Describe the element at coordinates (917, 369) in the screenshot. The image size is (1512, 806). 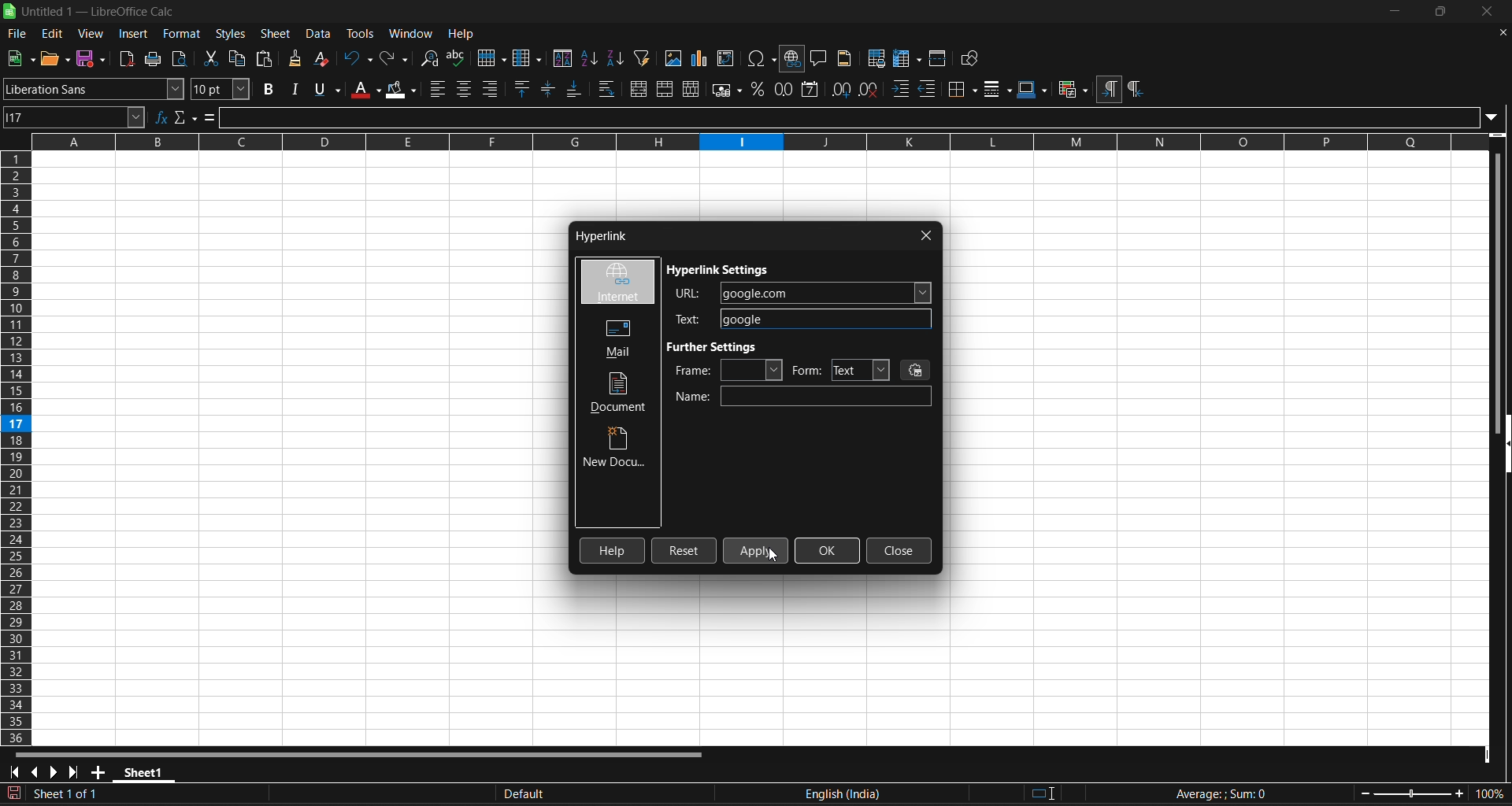
I see `events` at that location.